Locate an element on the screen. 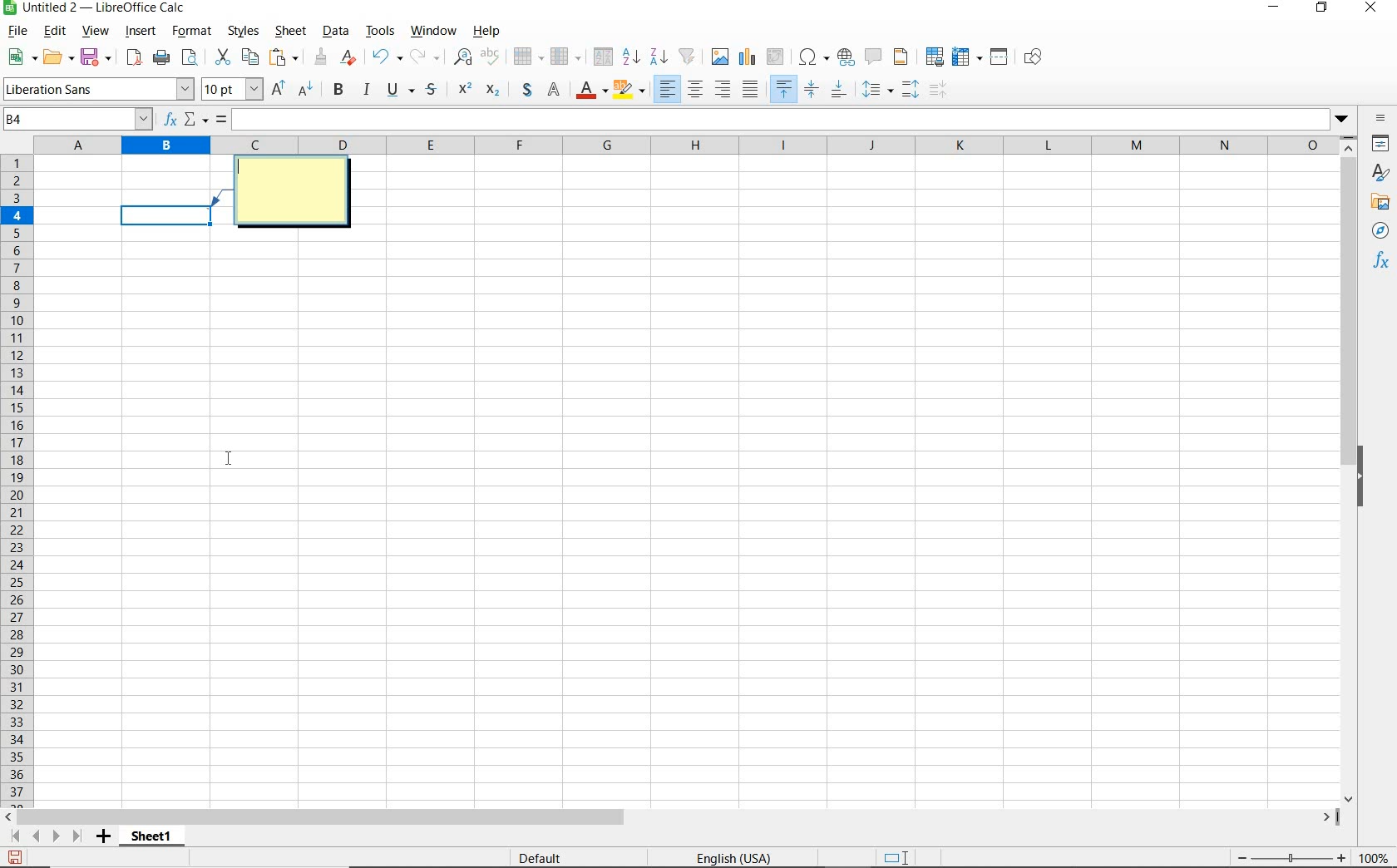 This screenshot has width=1397, height=868. Normal Text Mode is located at coordinates (556, 91).